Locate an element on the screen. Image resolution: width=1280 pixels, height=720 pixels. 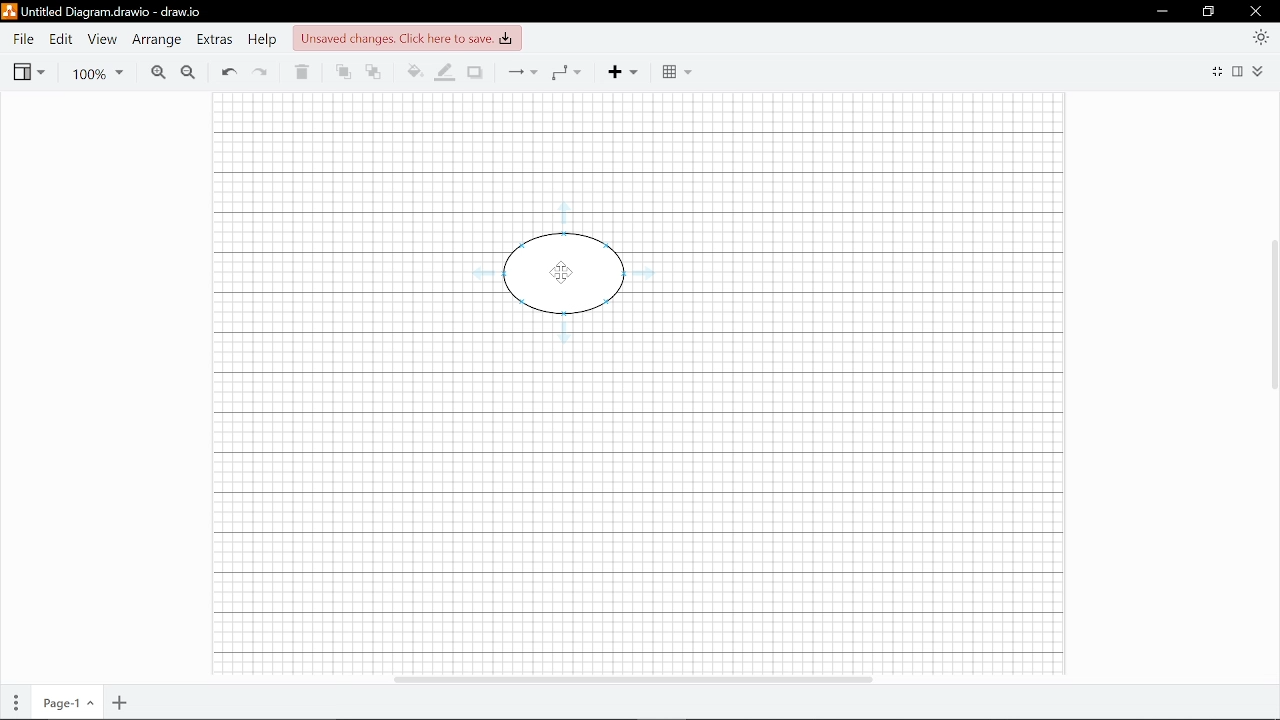
Diagram in the canvas is located at coordinates (557, 276).